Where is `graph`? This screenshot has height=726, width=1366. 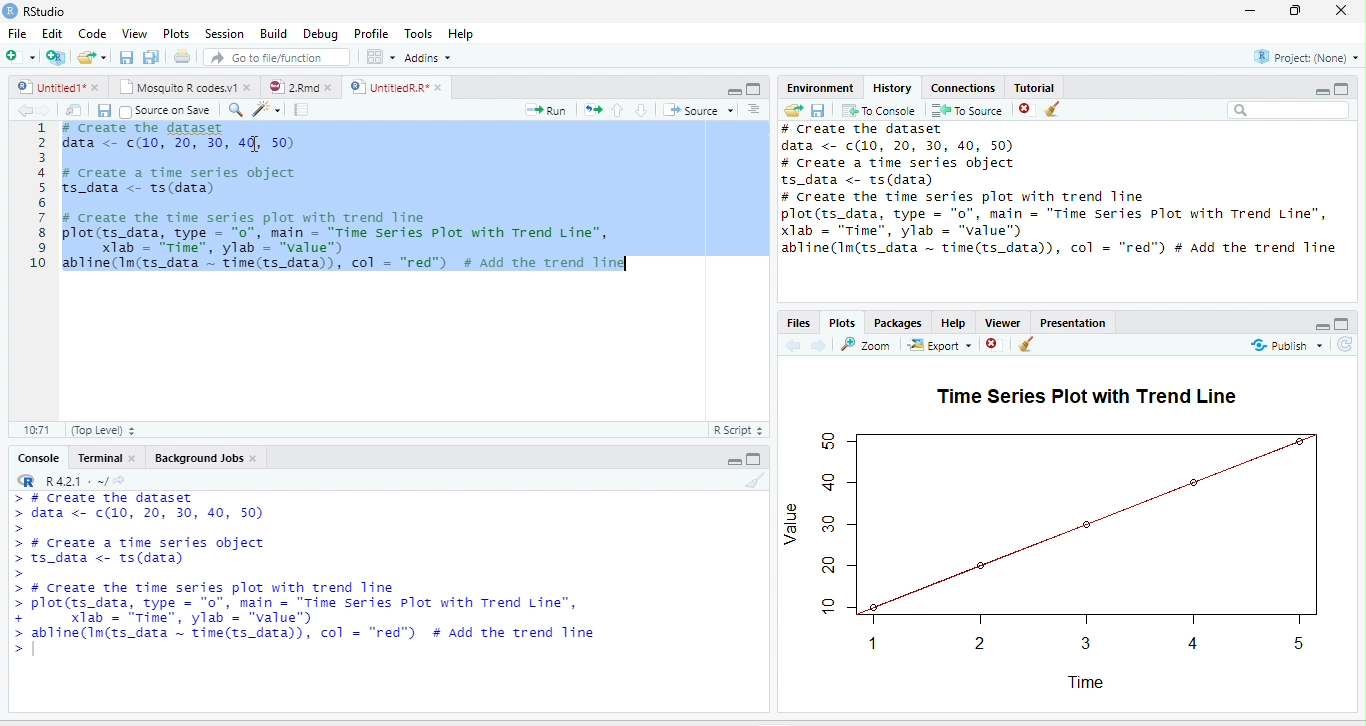 graph is located at coordinates (1075, 536).